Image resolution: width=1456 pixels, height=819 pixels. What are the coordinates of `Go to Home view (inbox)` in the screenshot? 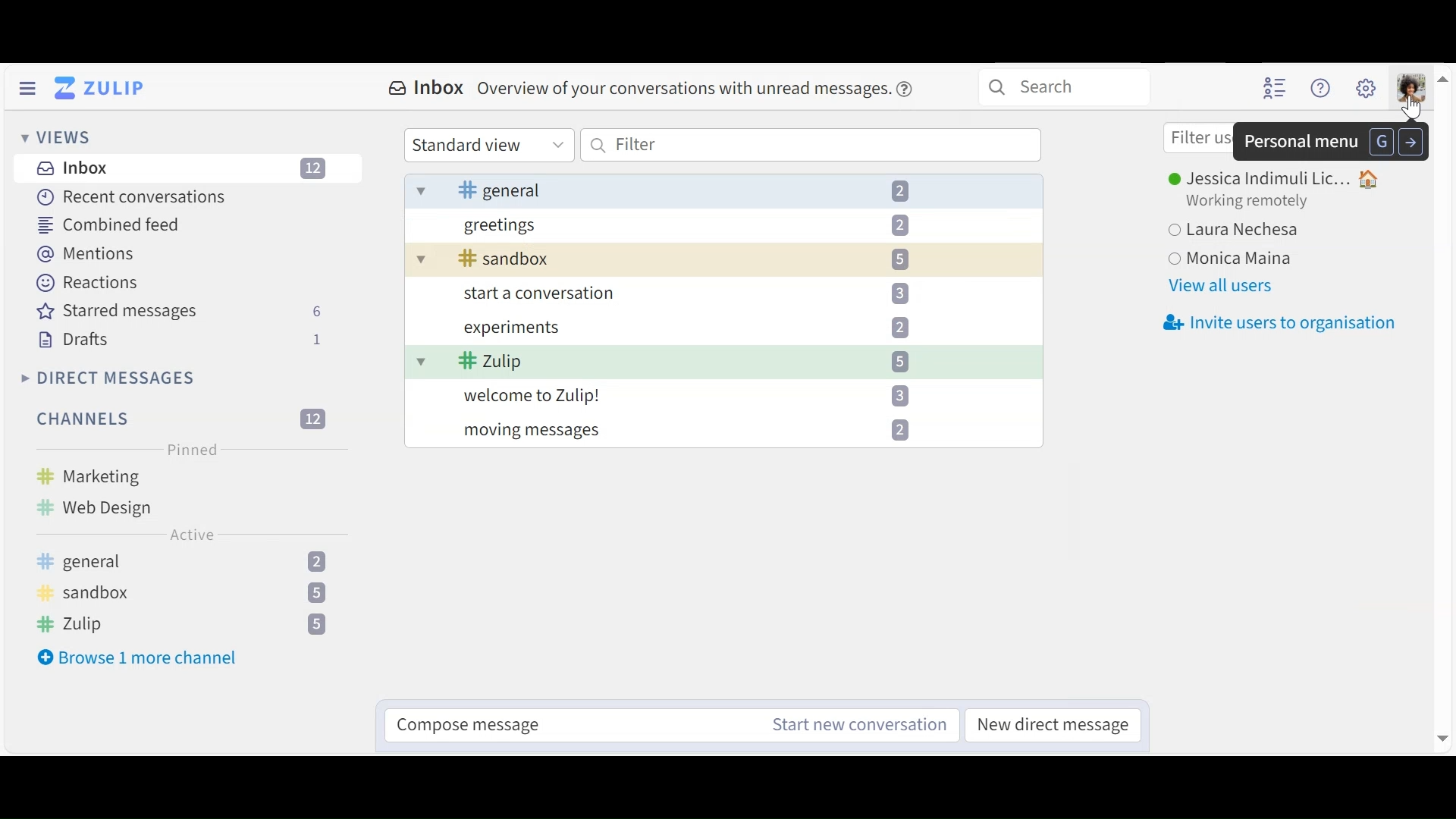 It's located at (103, 86).